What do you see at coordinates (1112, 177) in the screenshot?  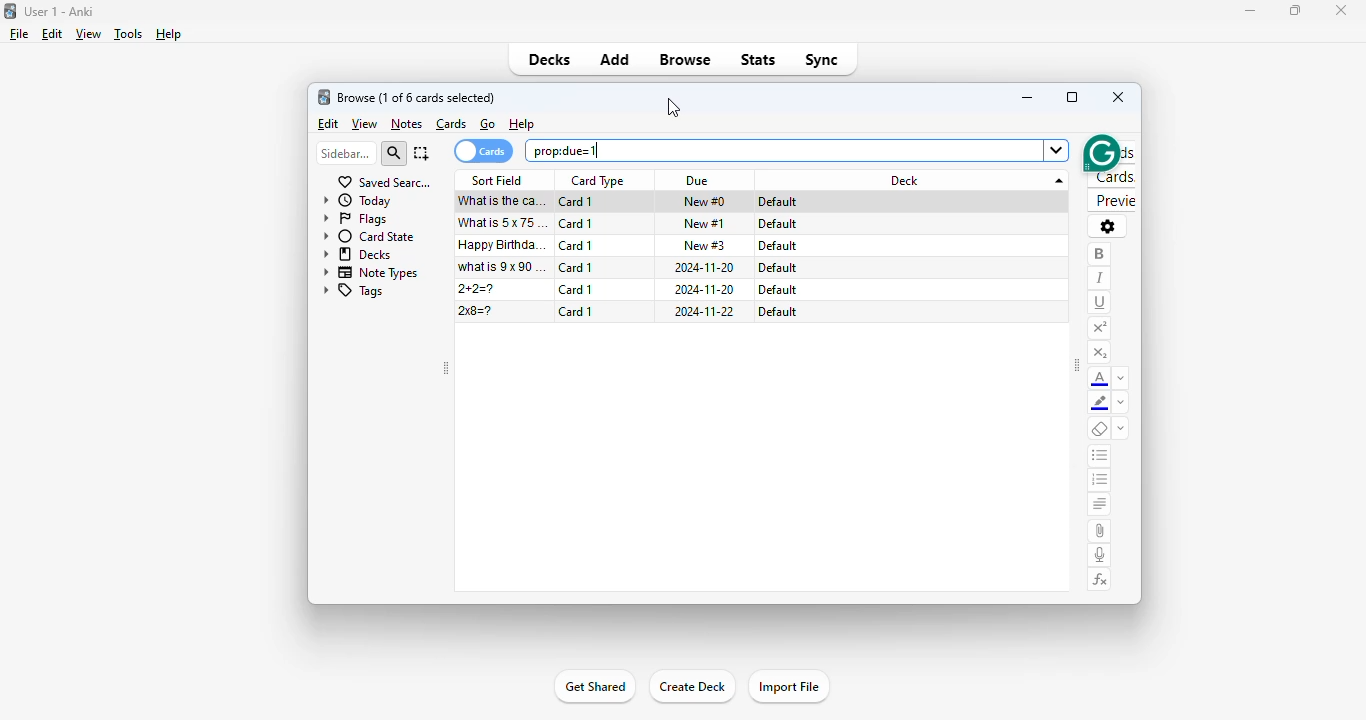 I see `cards` at bounding box center [1112, 177].